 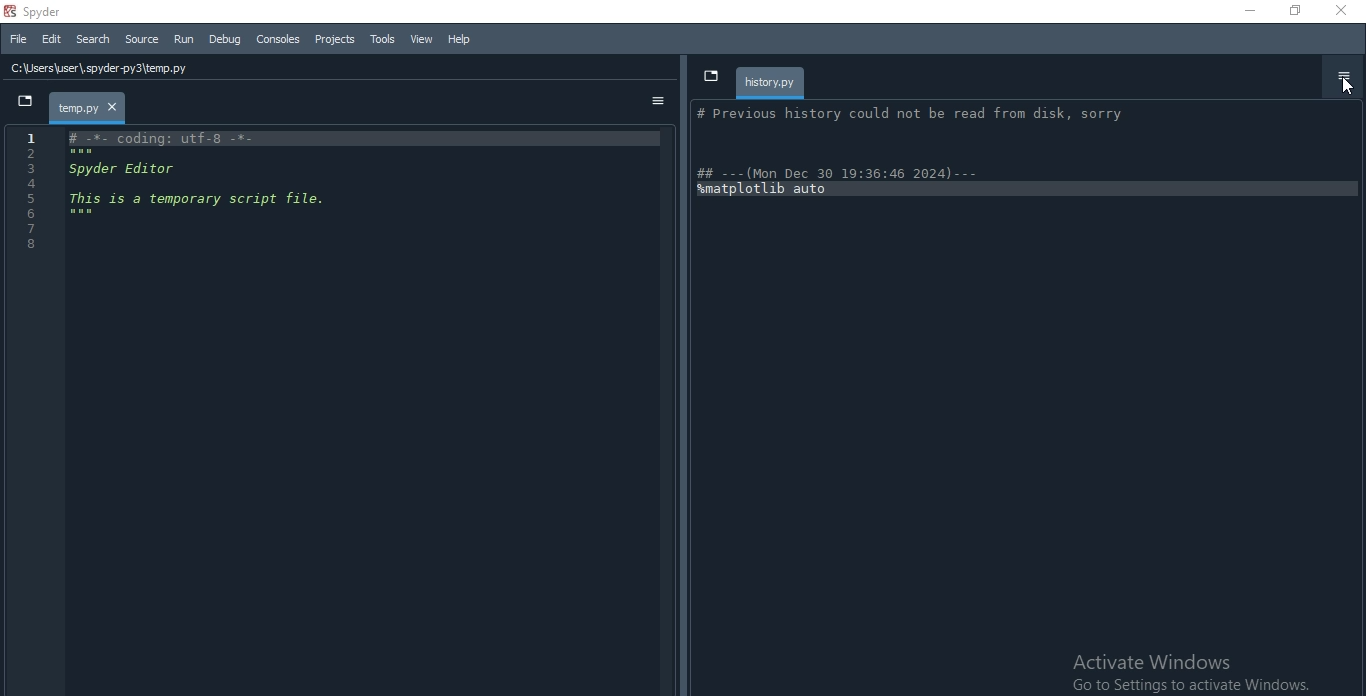 What do you see at coordinates (1295, 10) in the screenshot?
I see `Restore` at bounding box center [1295, 10].